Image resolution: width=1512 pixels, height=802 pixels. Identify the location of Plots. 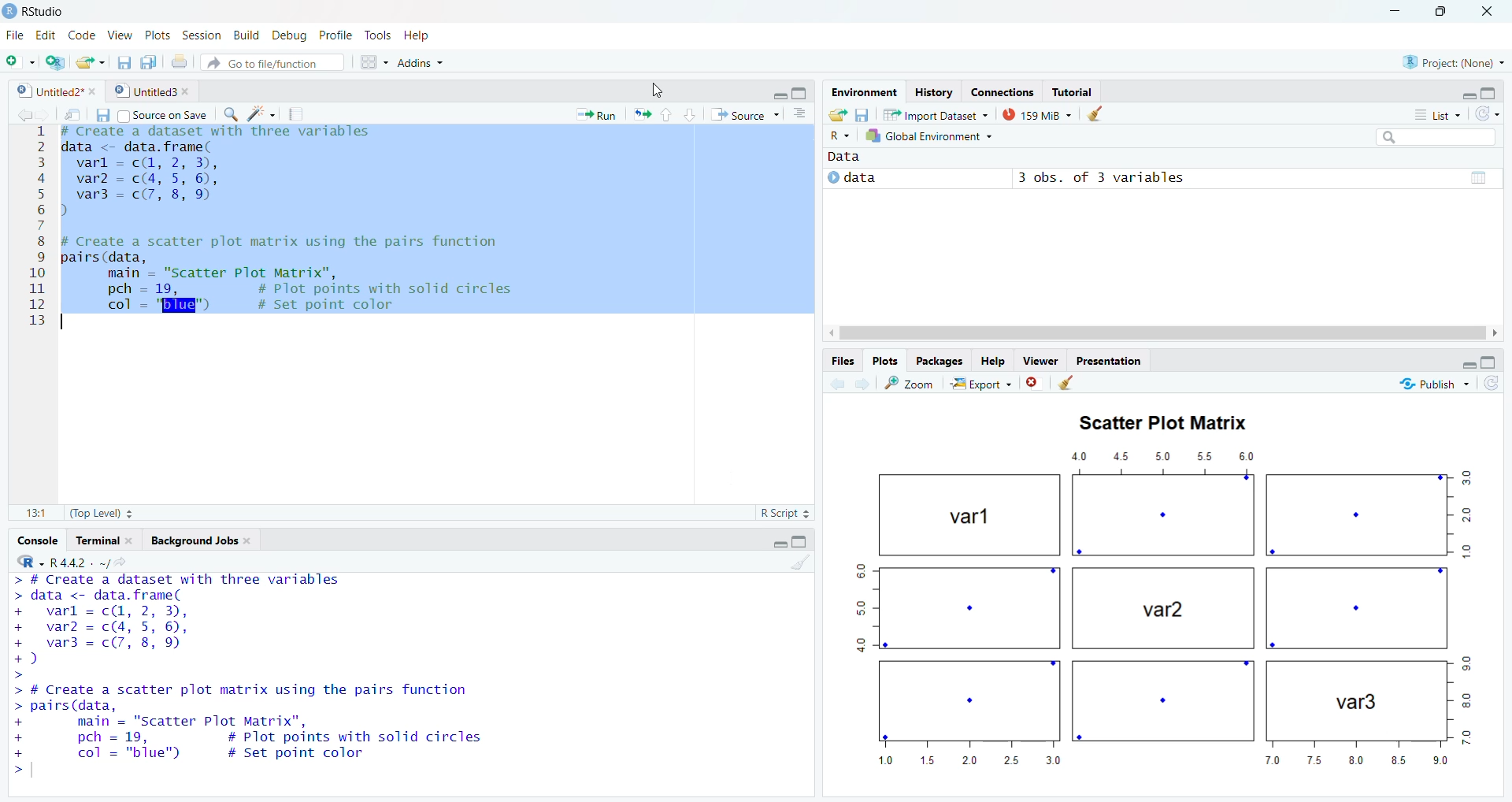
(157, 34).